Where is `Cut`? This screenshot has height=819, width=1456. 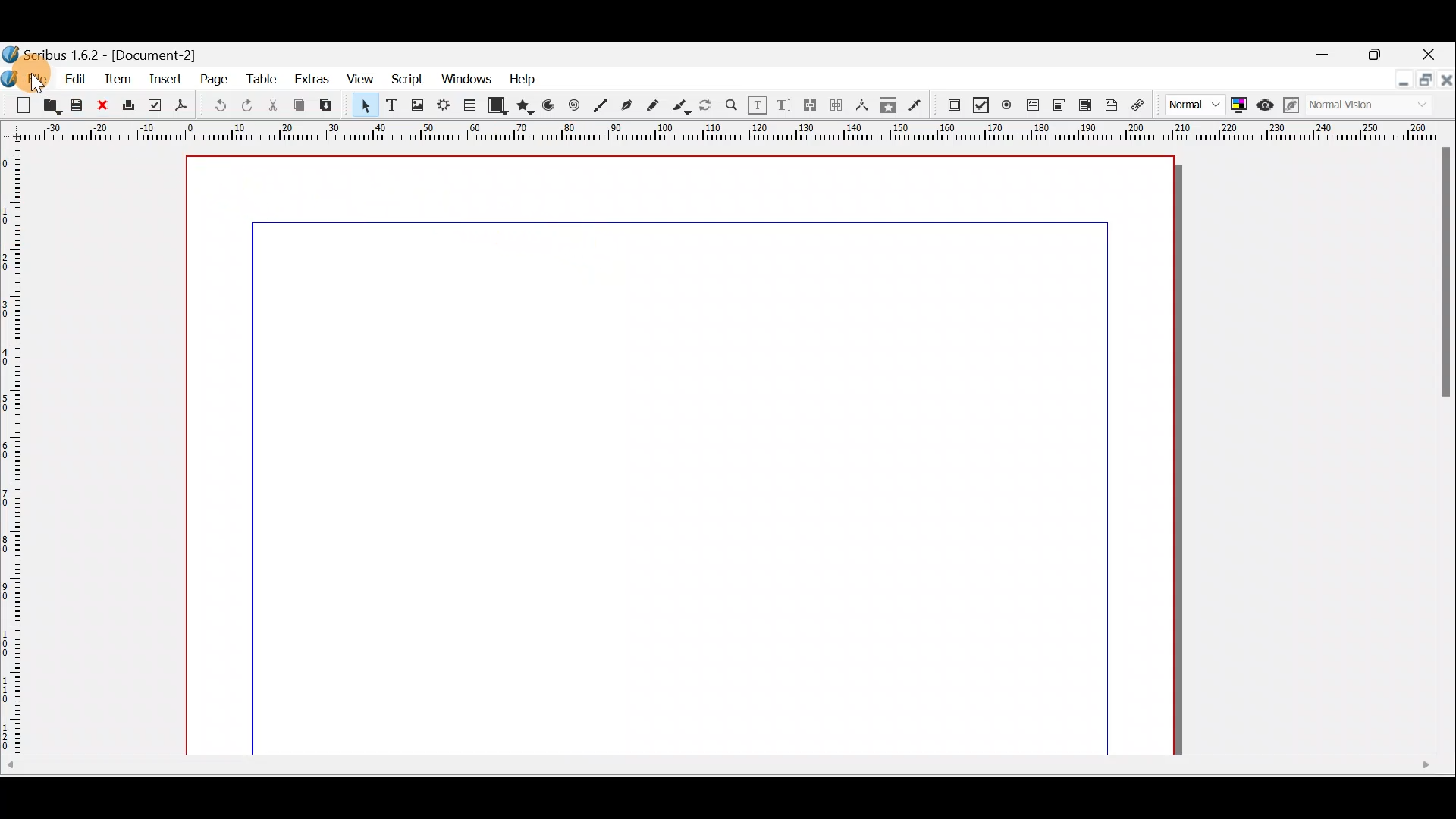 Cut is located at coordinates (274, 106).